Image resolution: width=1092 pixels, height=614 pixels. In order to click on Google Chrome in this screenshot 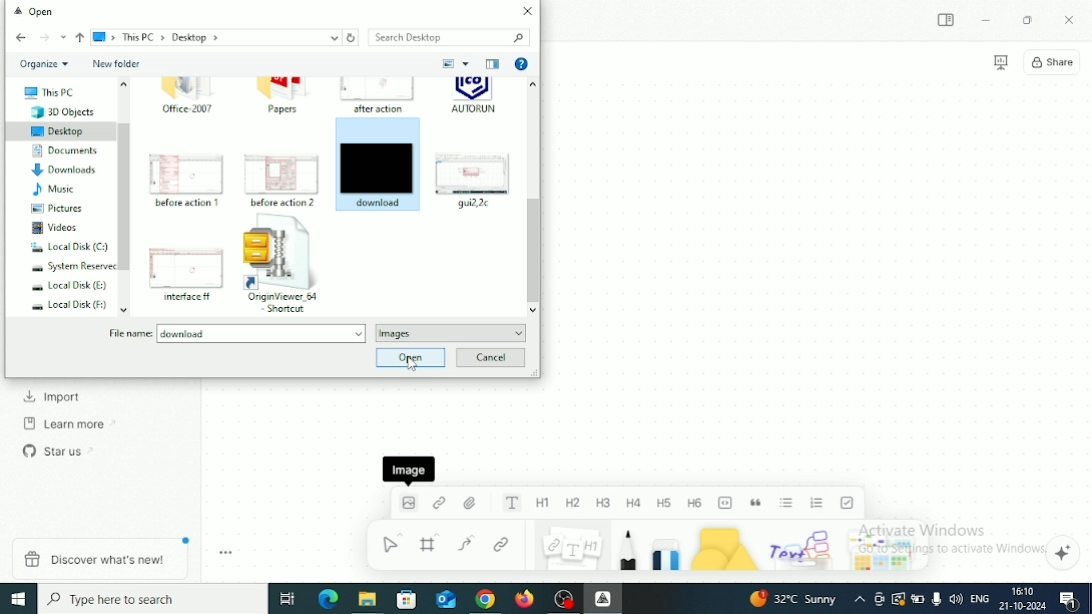, I will do `click(485, 599)`.